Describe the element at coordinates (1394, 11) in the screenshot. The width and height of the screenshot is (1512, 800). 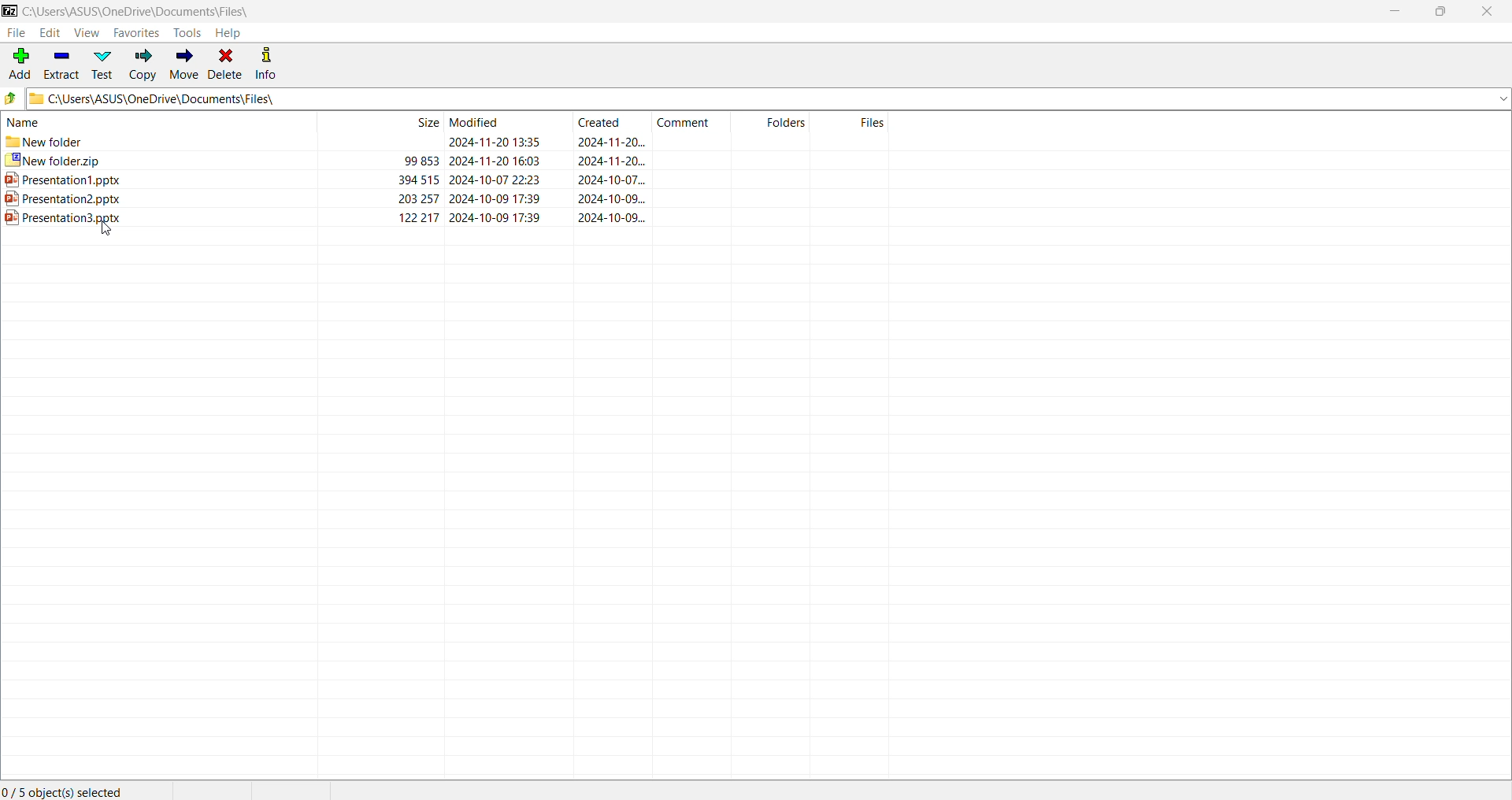
I see `Minimize` at that location.